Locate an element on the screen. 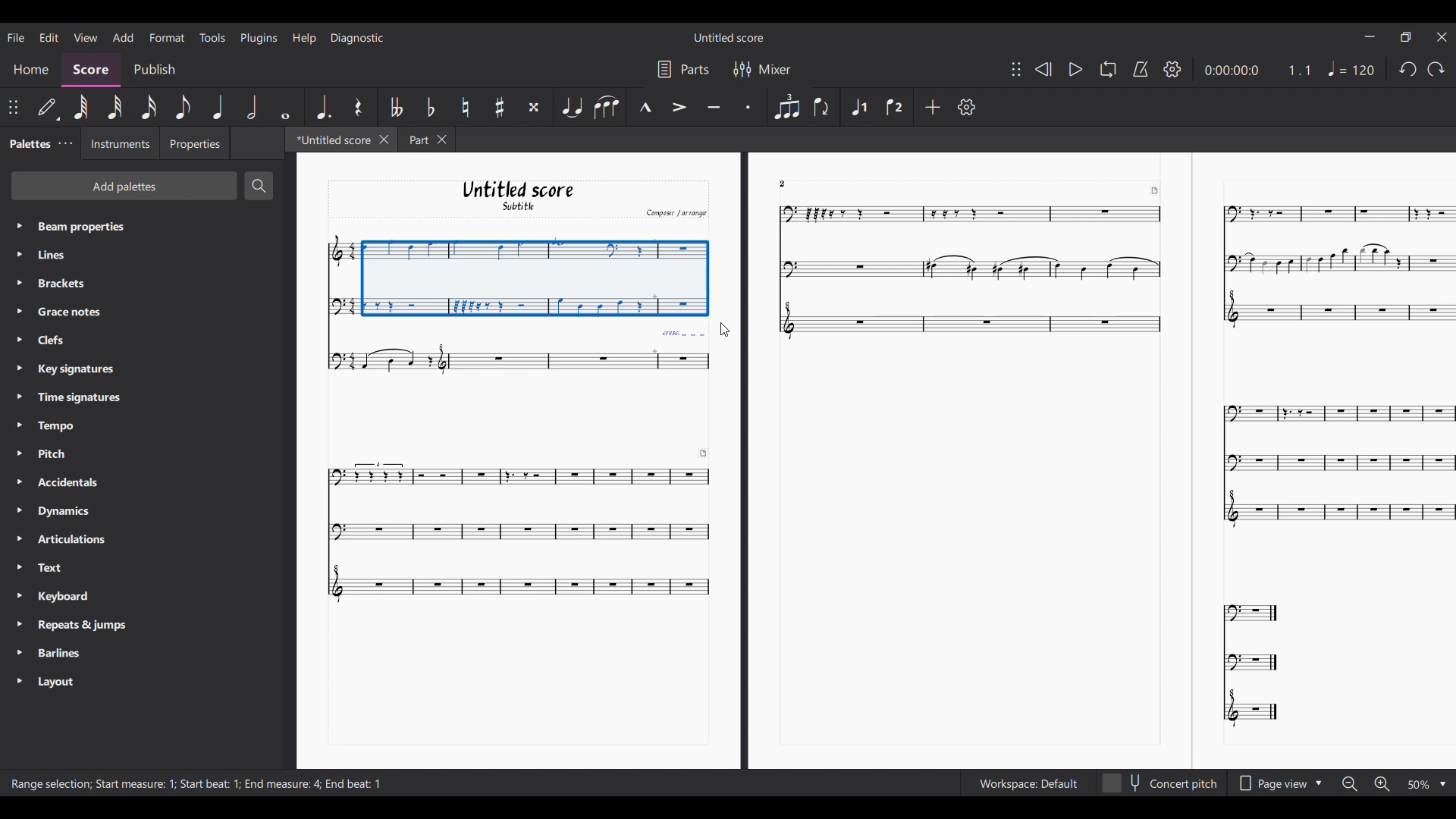 This screenshot has height=819, width=1456.  is located at coordinates (17, 370).